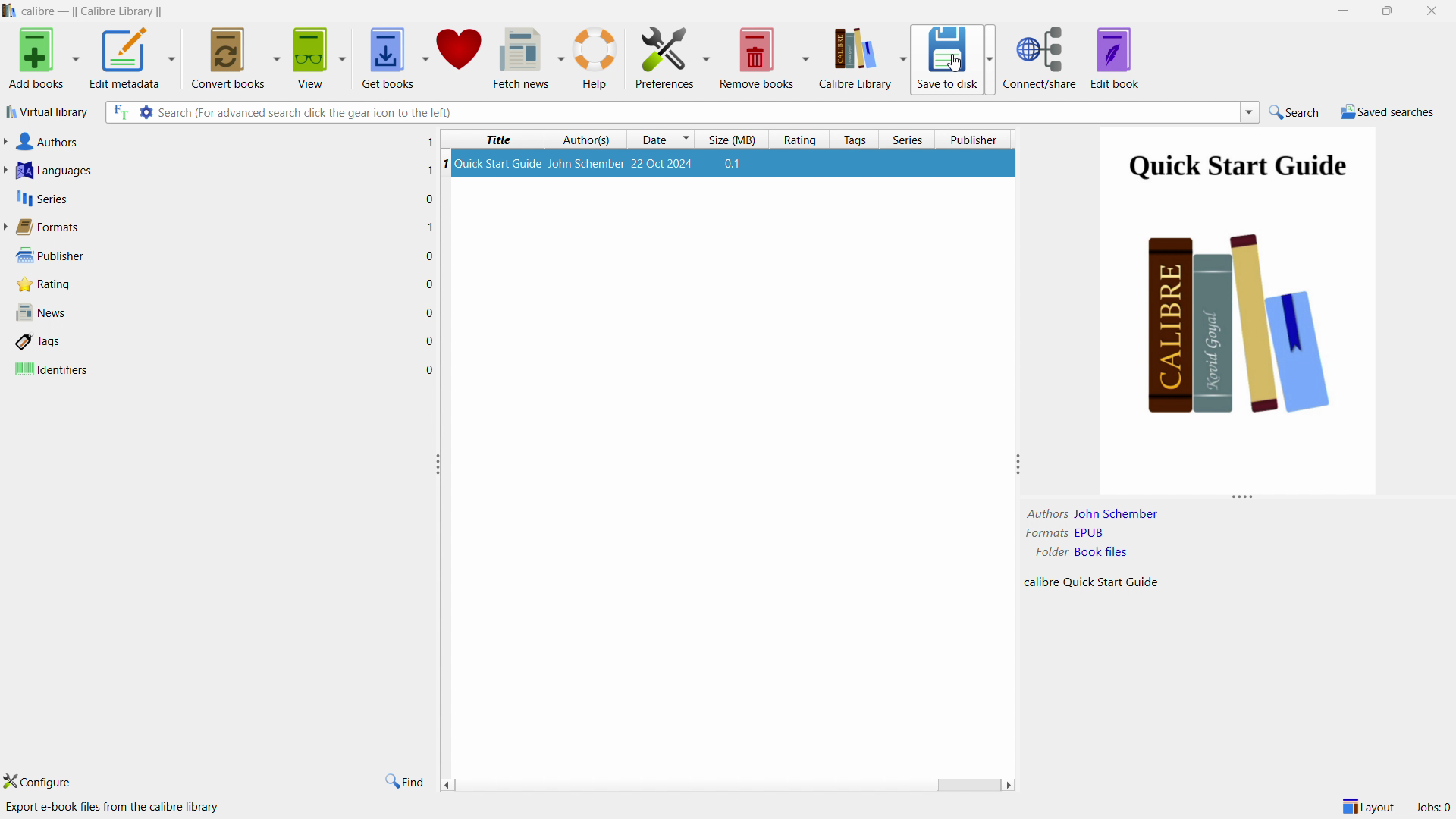 The width and height of the screenshot is (1456, 819). I want to click on Help, so click(595, 60).